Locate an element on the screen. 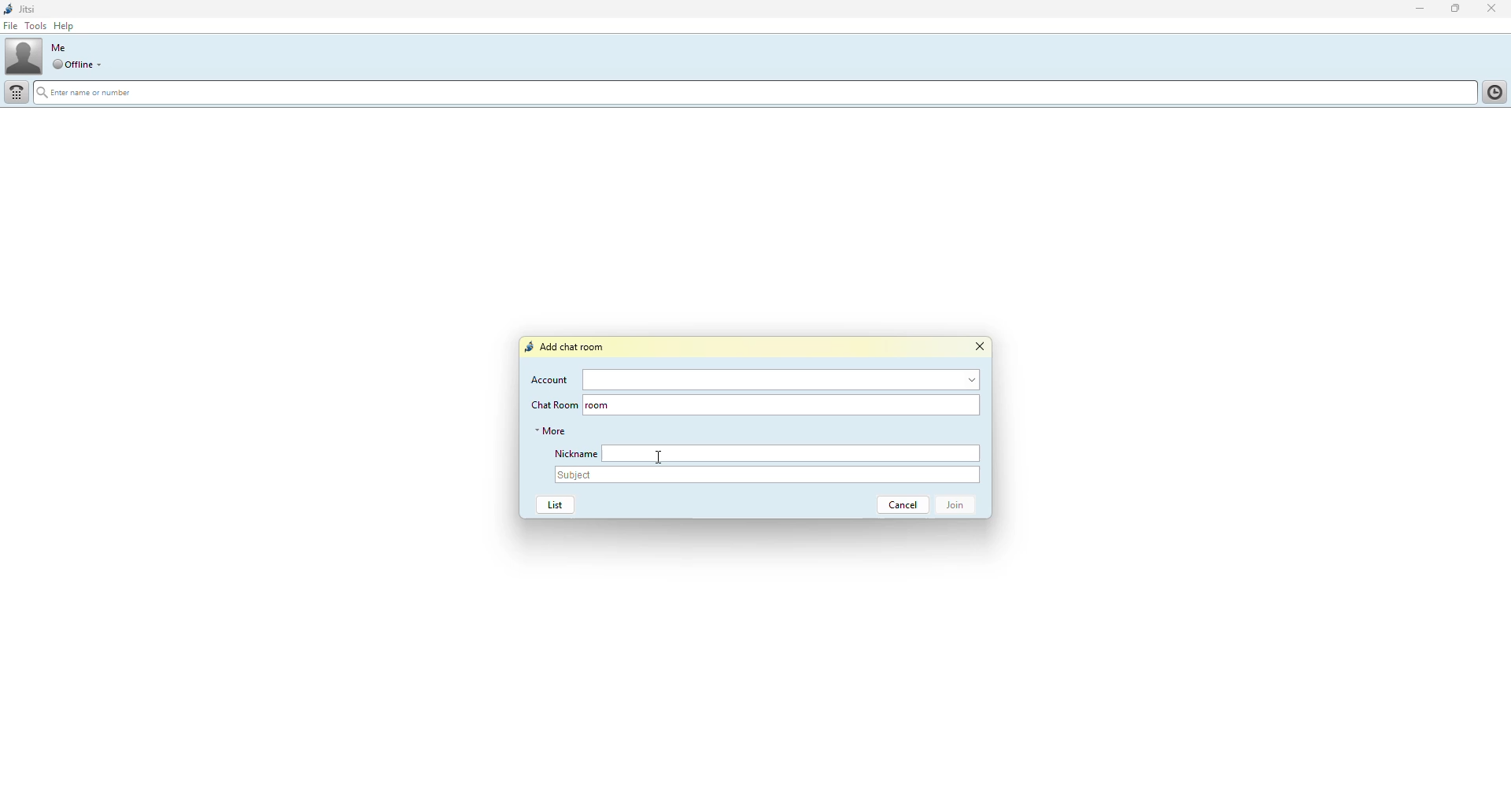 Image resolution: width=1511 pixels, height=812 pixels. chat room is located at coordinates (807, 407).